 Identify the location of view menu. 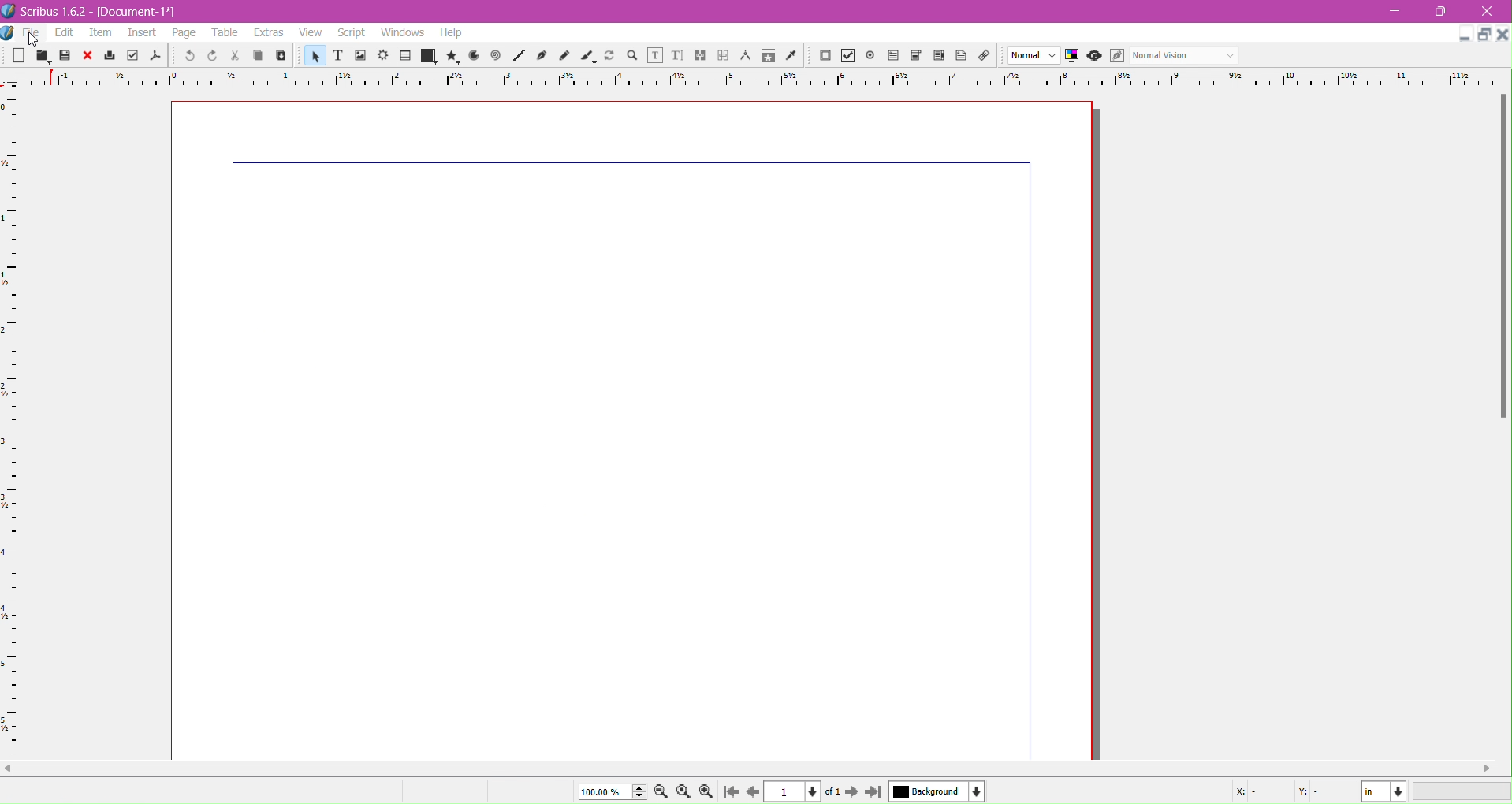
(311, 33).